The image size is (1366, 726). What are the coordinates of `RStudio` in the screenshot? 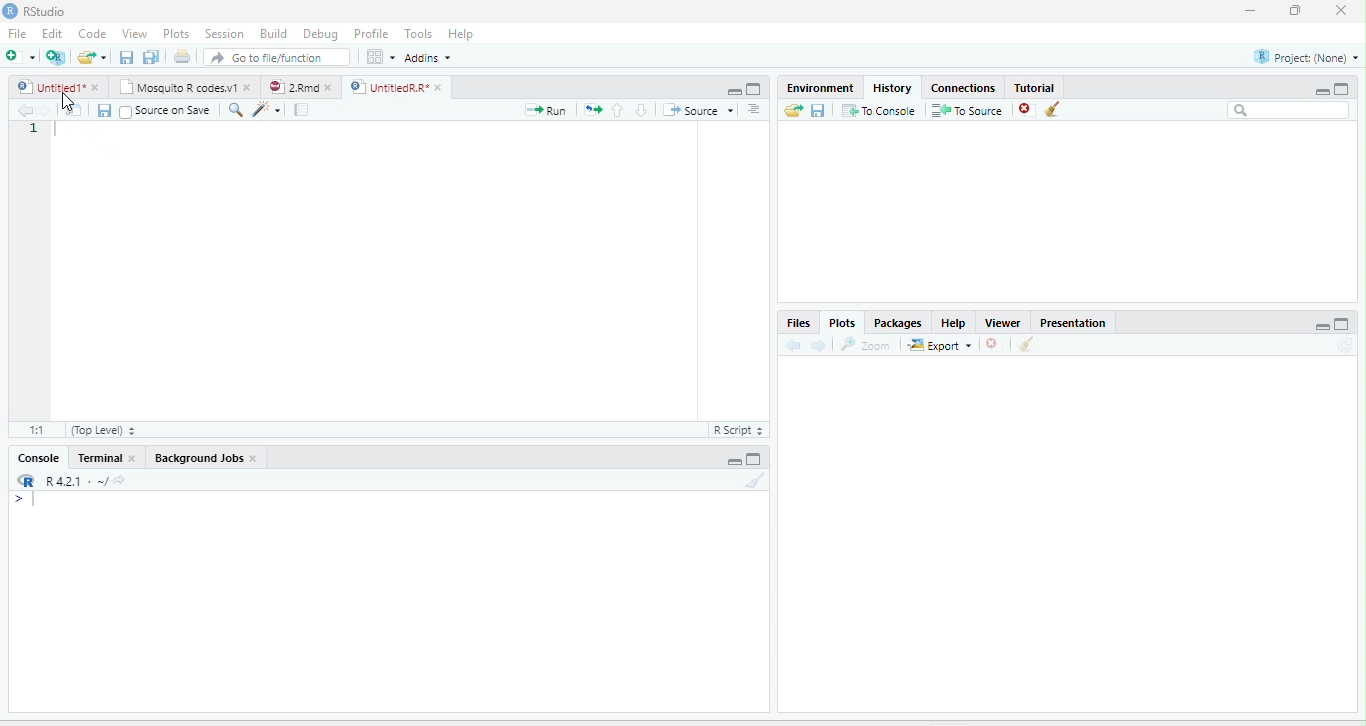 It's located at (34, 10).